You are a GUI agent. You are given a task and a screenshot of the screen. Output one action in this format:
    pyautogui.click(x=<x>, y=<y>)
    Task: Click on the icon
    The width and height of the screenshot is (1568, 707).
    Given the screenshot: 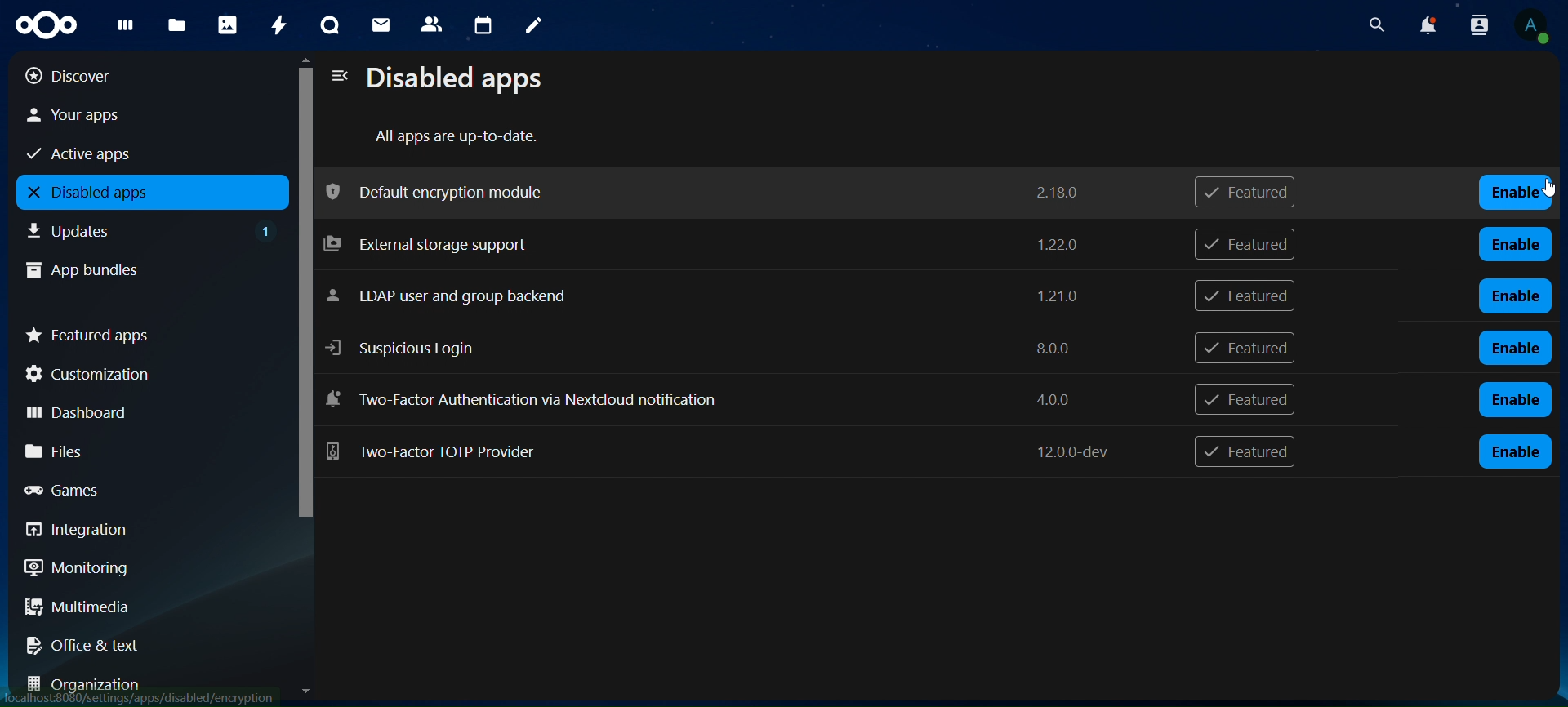 What is the action you would take?
    pyautogui.click(x=43, y=23)
    